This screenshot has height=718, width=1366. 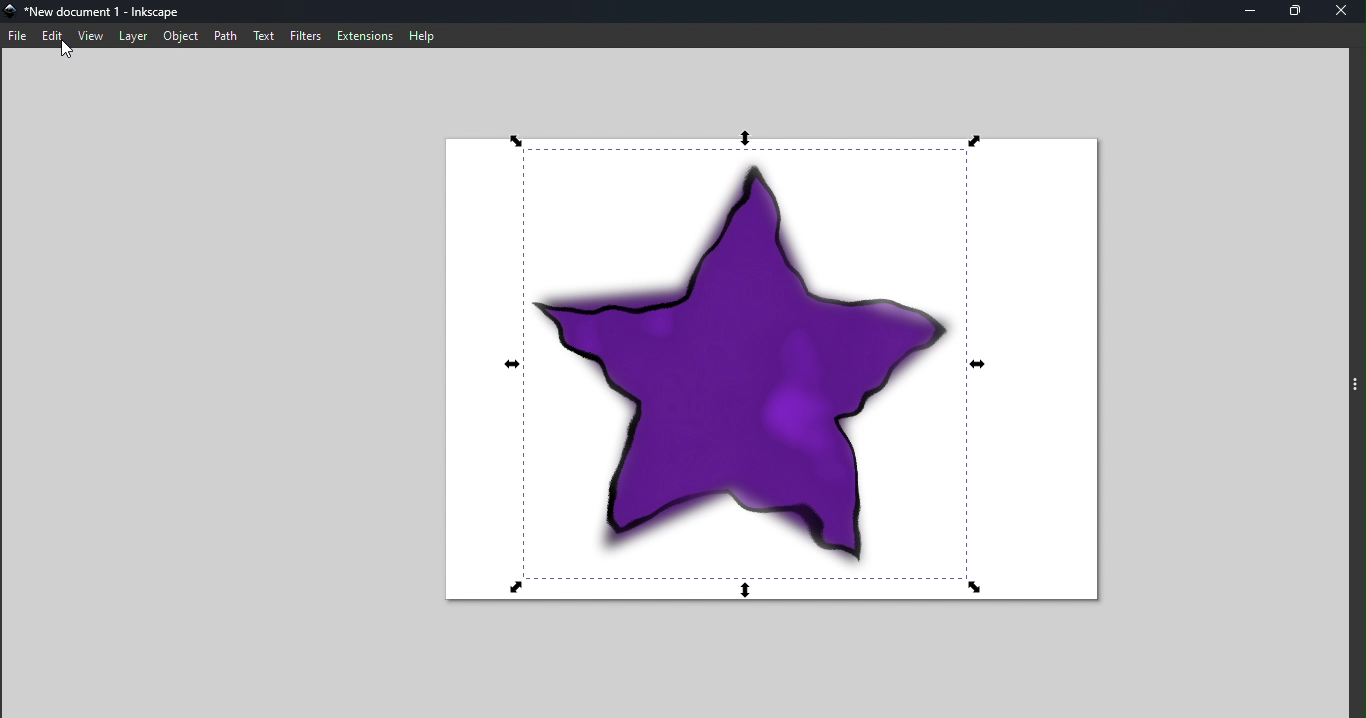 I want to click on Path, so click(x=226, y=36).